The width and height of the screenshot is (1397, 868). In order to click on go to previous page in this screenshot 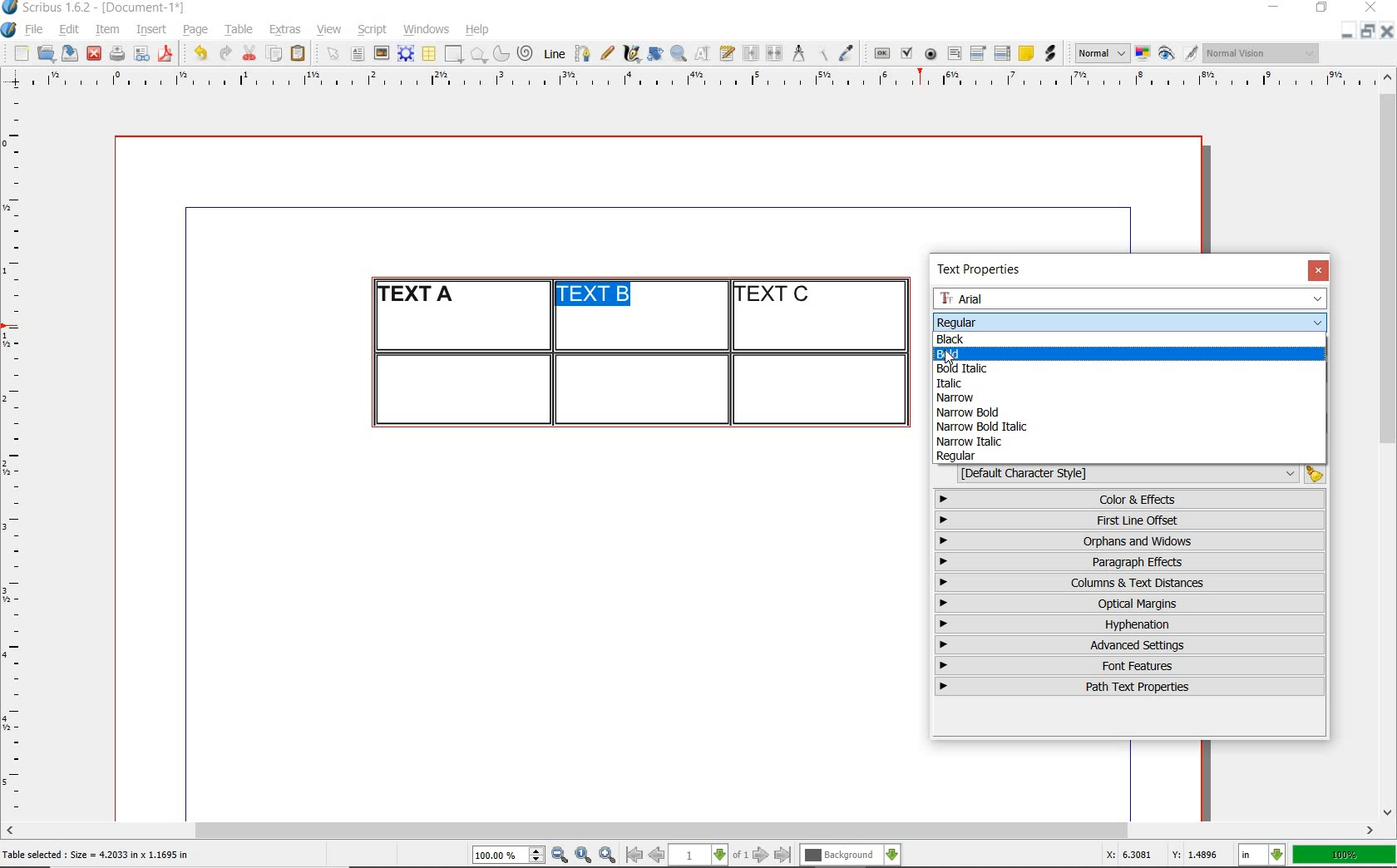, I will do `click(656, 856)`.